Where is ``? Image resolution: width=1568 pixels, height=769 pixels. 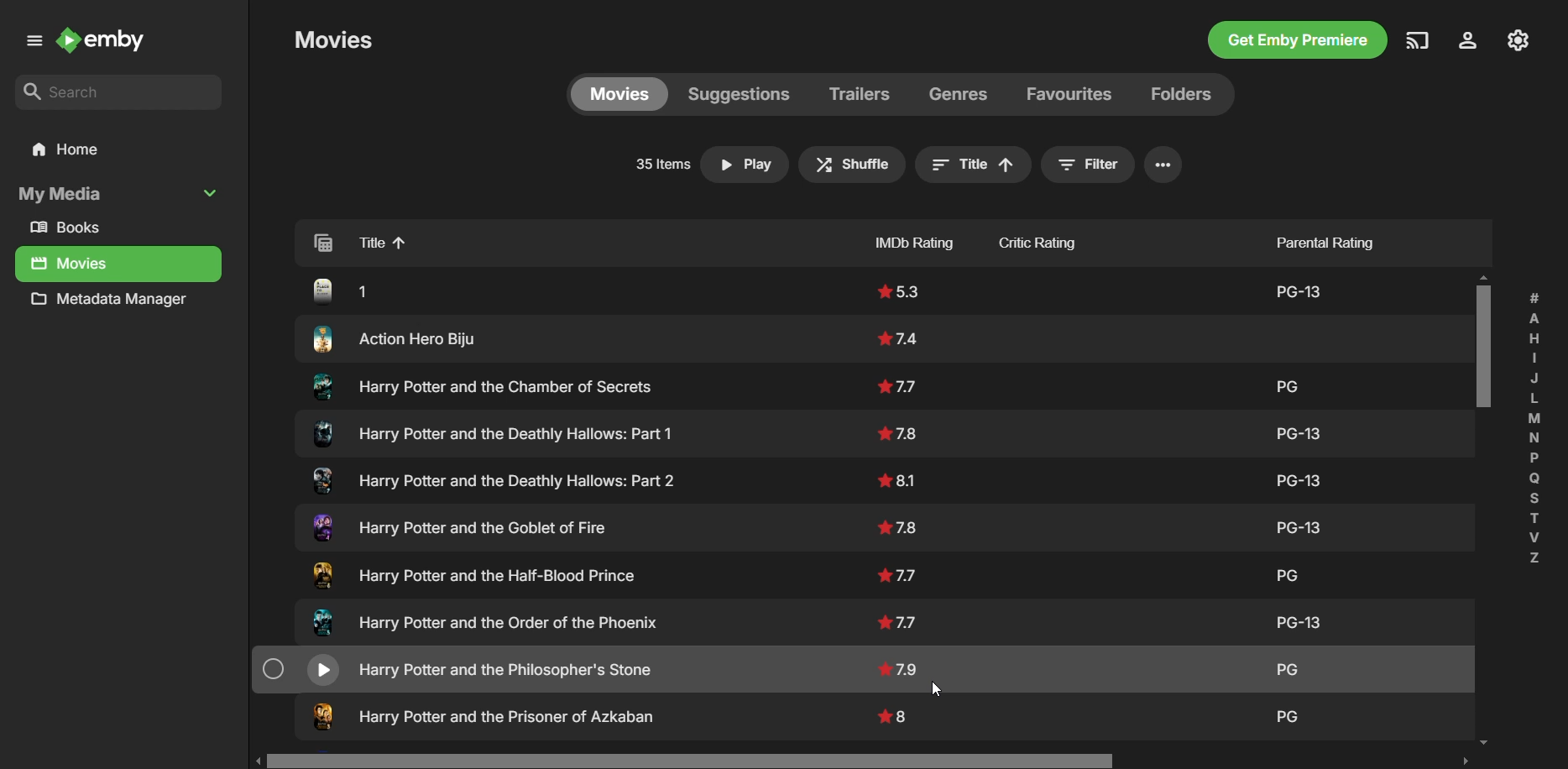
 is located at coordinates (488, 621).